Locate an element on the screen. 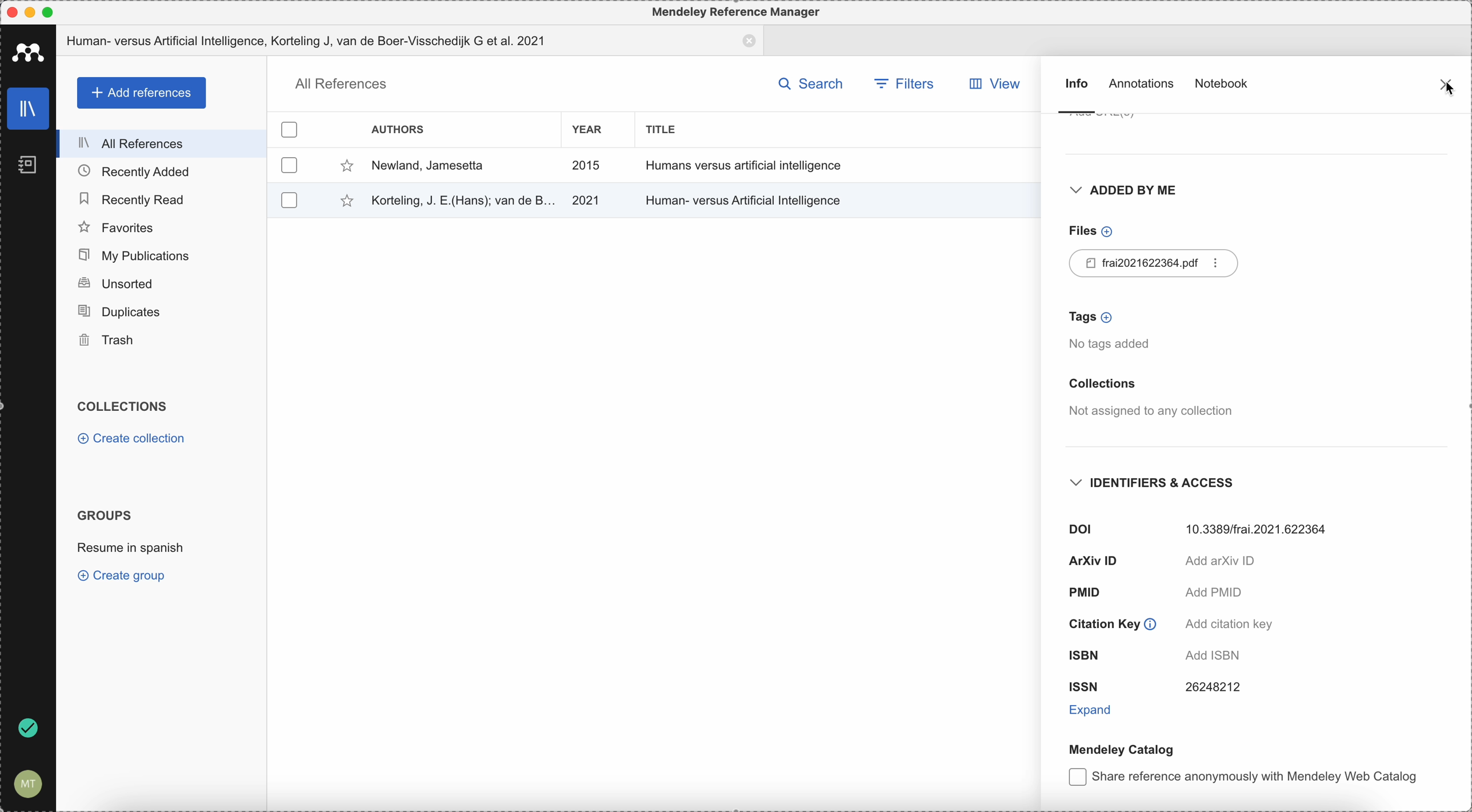  resume in spanish group is located at coordinates (131, 550).